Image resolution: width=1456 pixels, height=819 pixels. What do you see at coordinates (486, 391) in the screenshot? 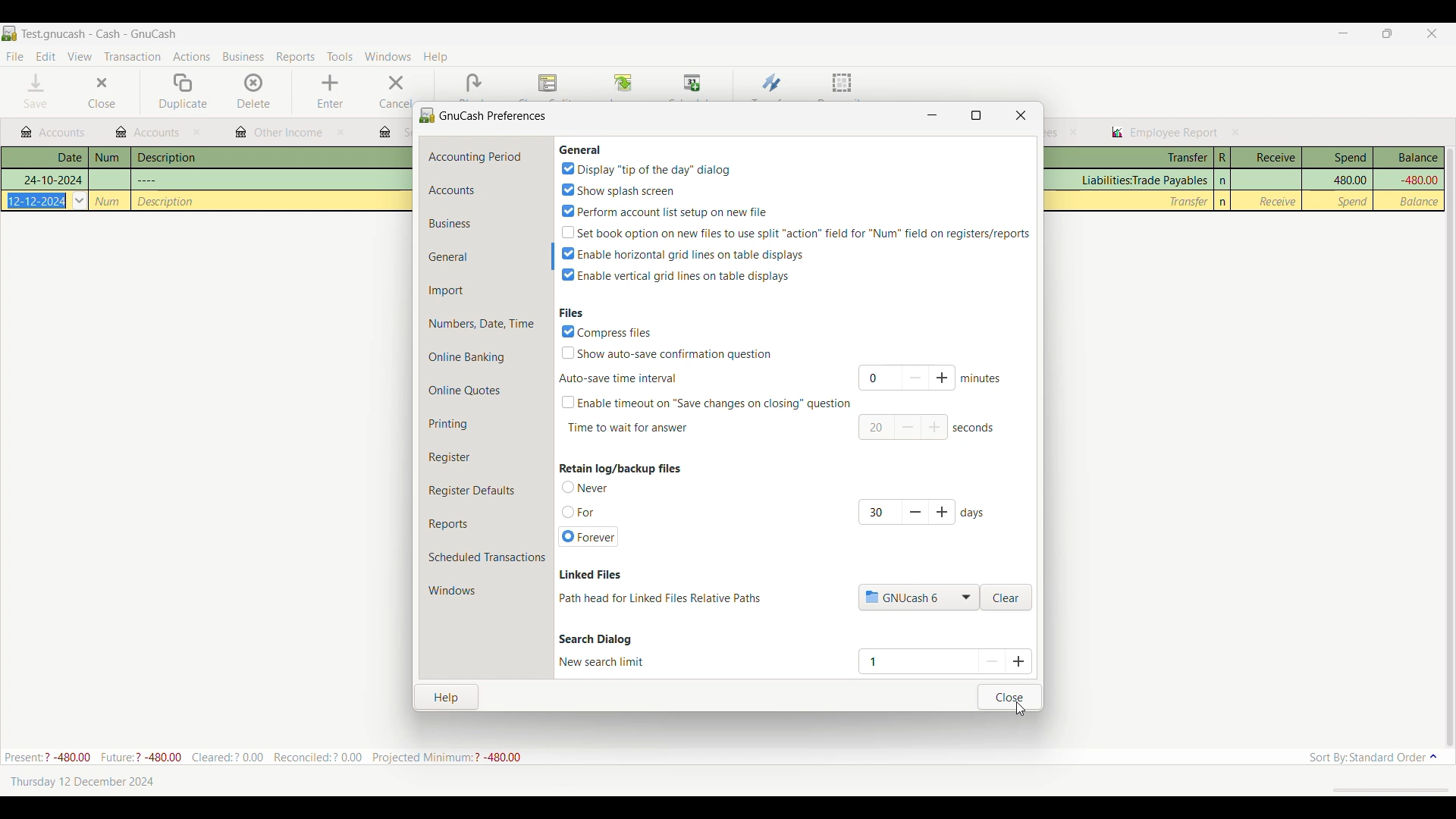
I see `Online quotes` at bounding box center [486, 391].